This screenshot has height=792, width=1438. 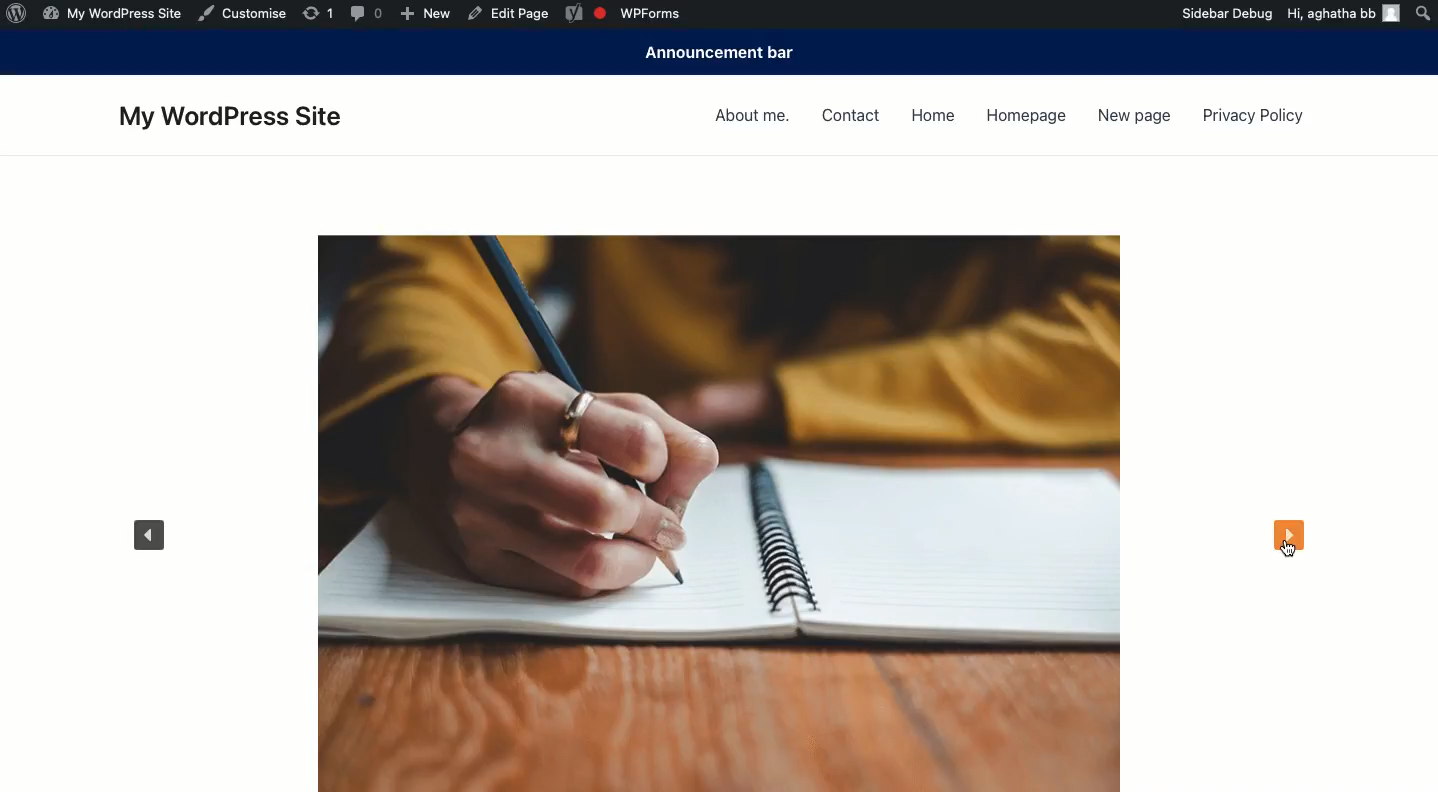 What do you see at coordinates (1287, 552) in the screenshot?
I see `cursor` at bounding box center [1287, 552].